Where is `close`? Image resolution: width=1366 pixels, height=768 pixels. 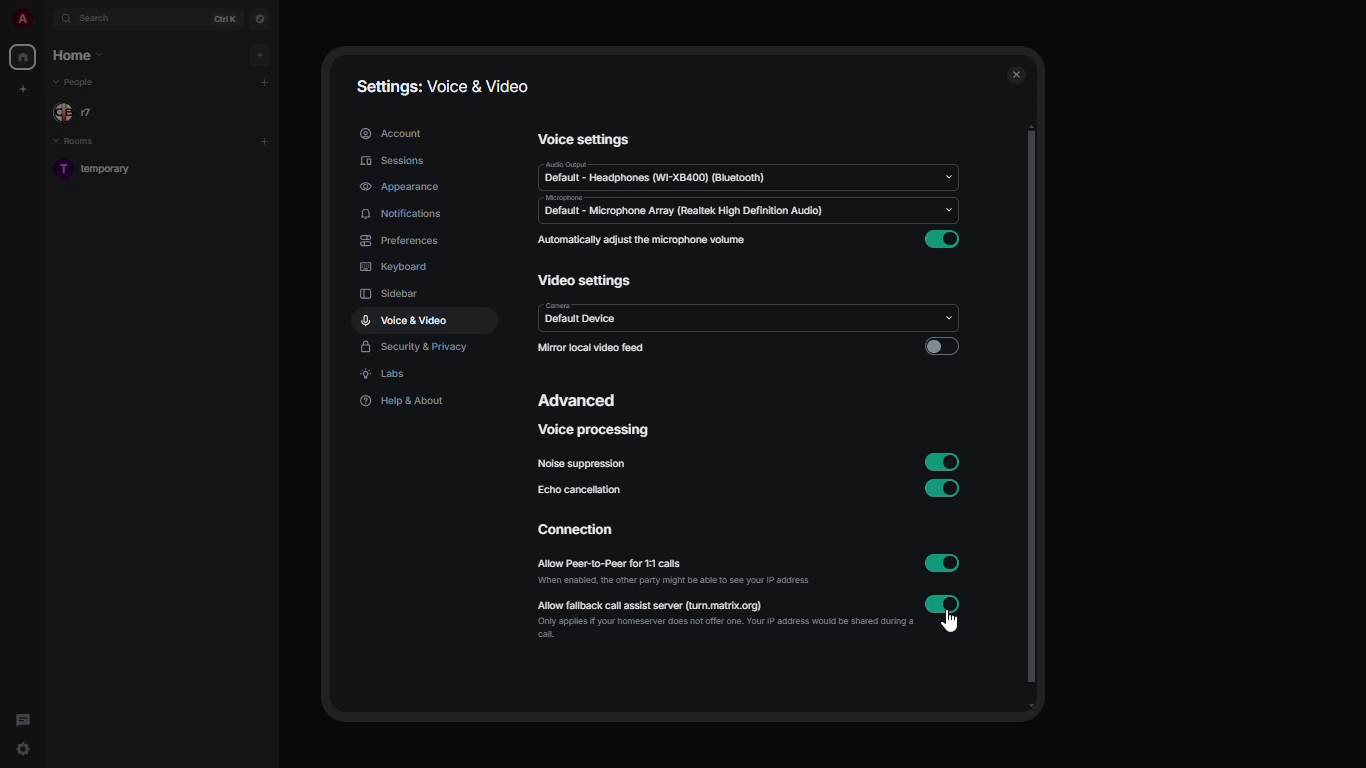
close is located at coordinates (1016, 74).